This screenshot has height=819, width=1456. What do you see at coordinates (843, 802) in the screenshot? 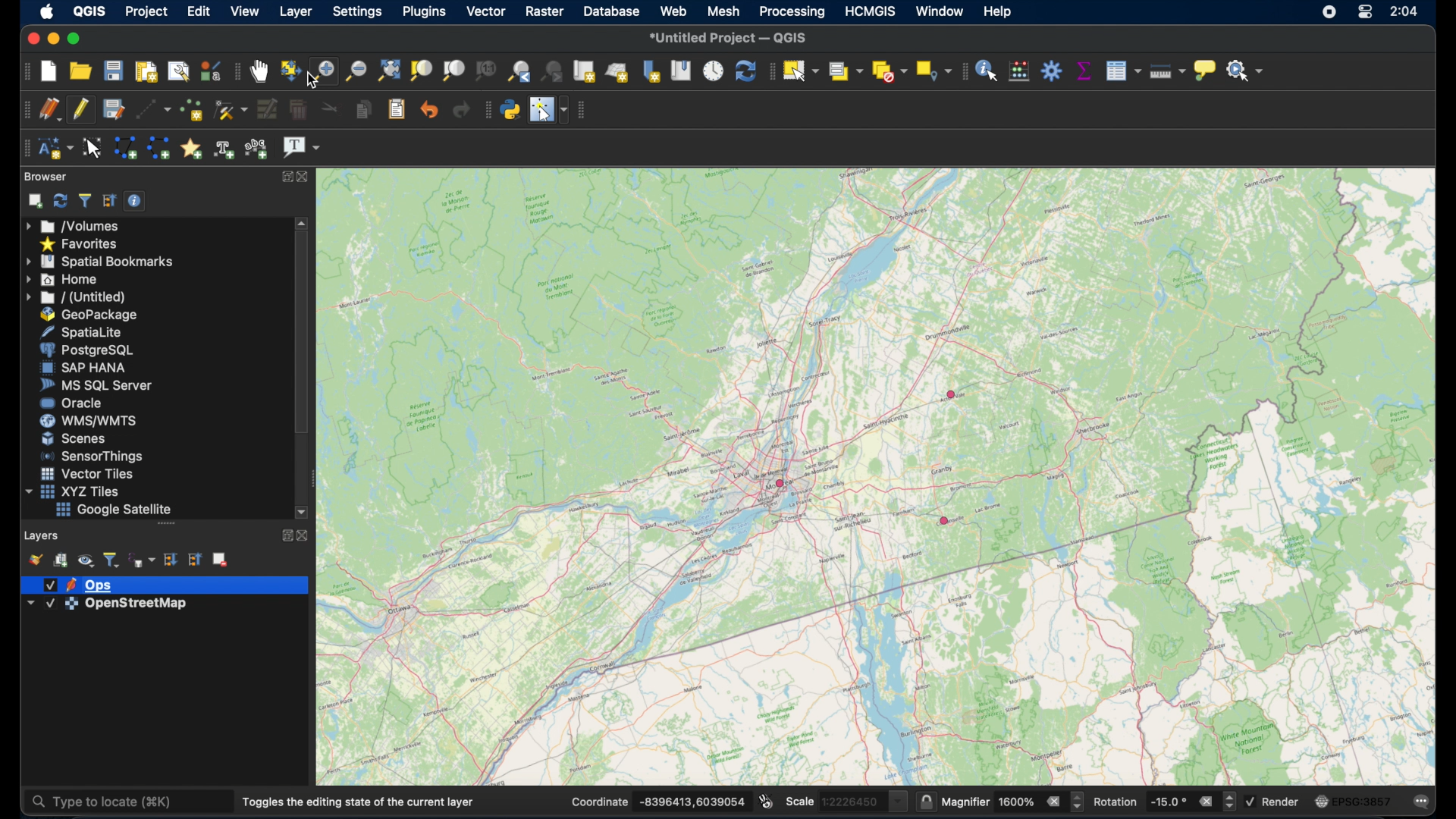
I see `scale ` at bounding box center [843, 802].